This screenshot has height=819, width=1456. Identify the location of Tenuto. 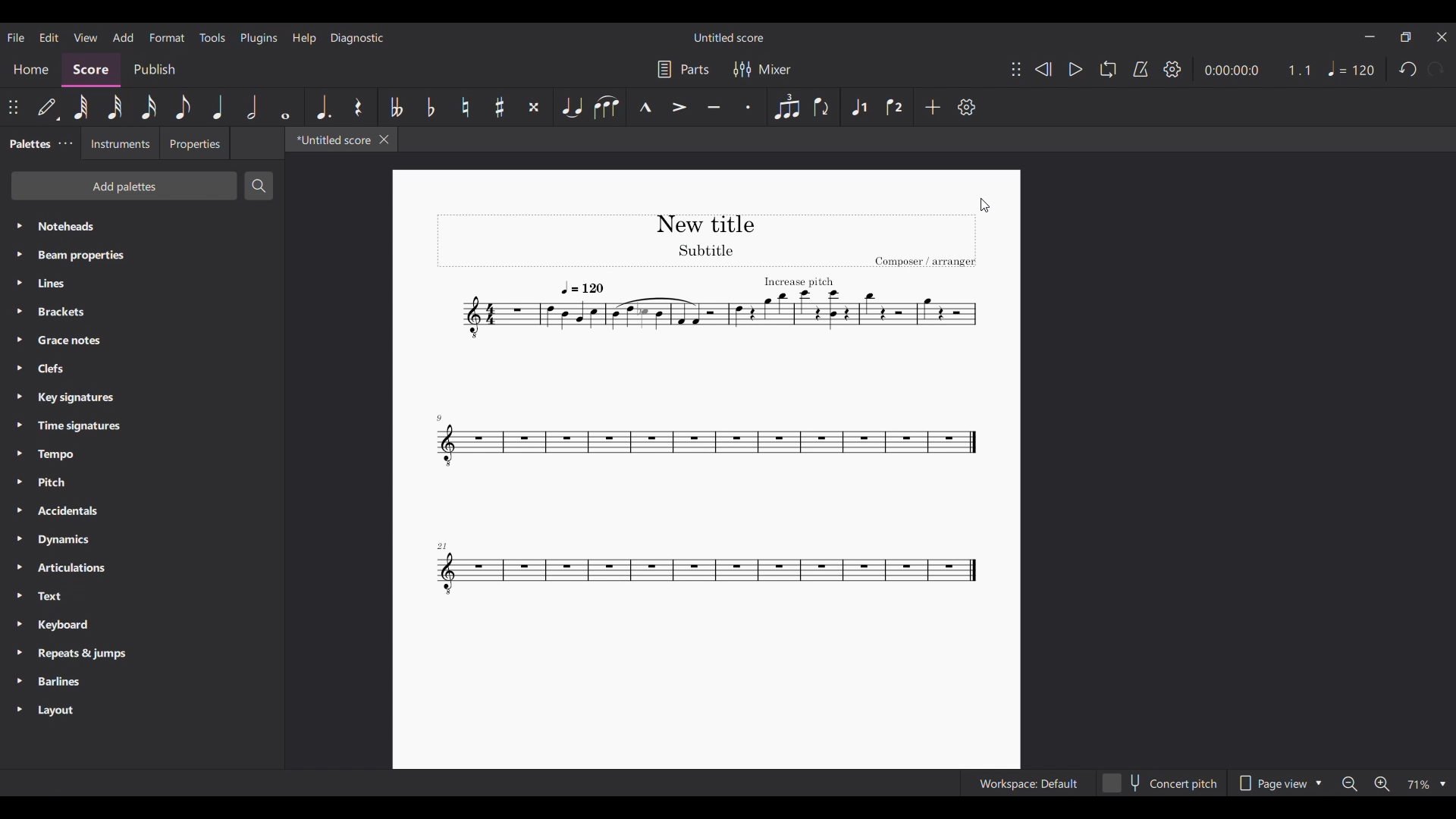
(714, 108).